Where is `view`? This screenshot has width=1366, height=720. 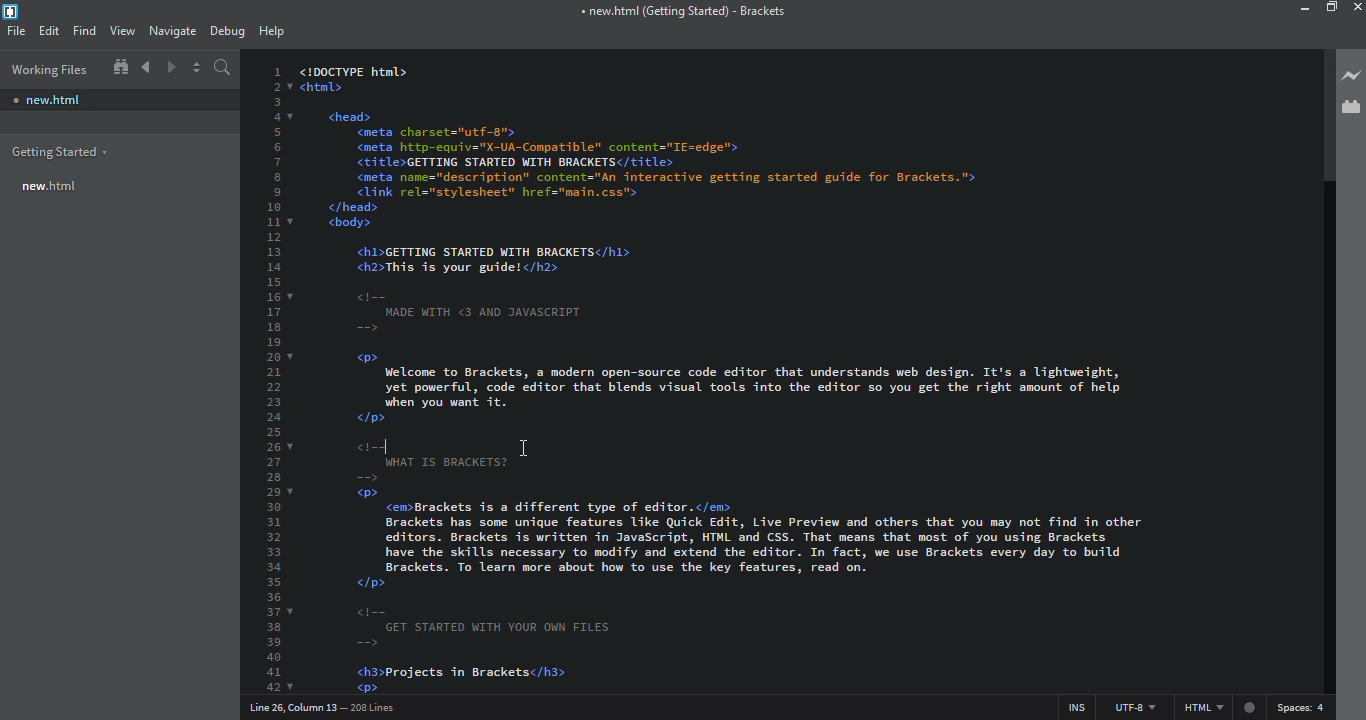 view is located at coordinates (122, 31).